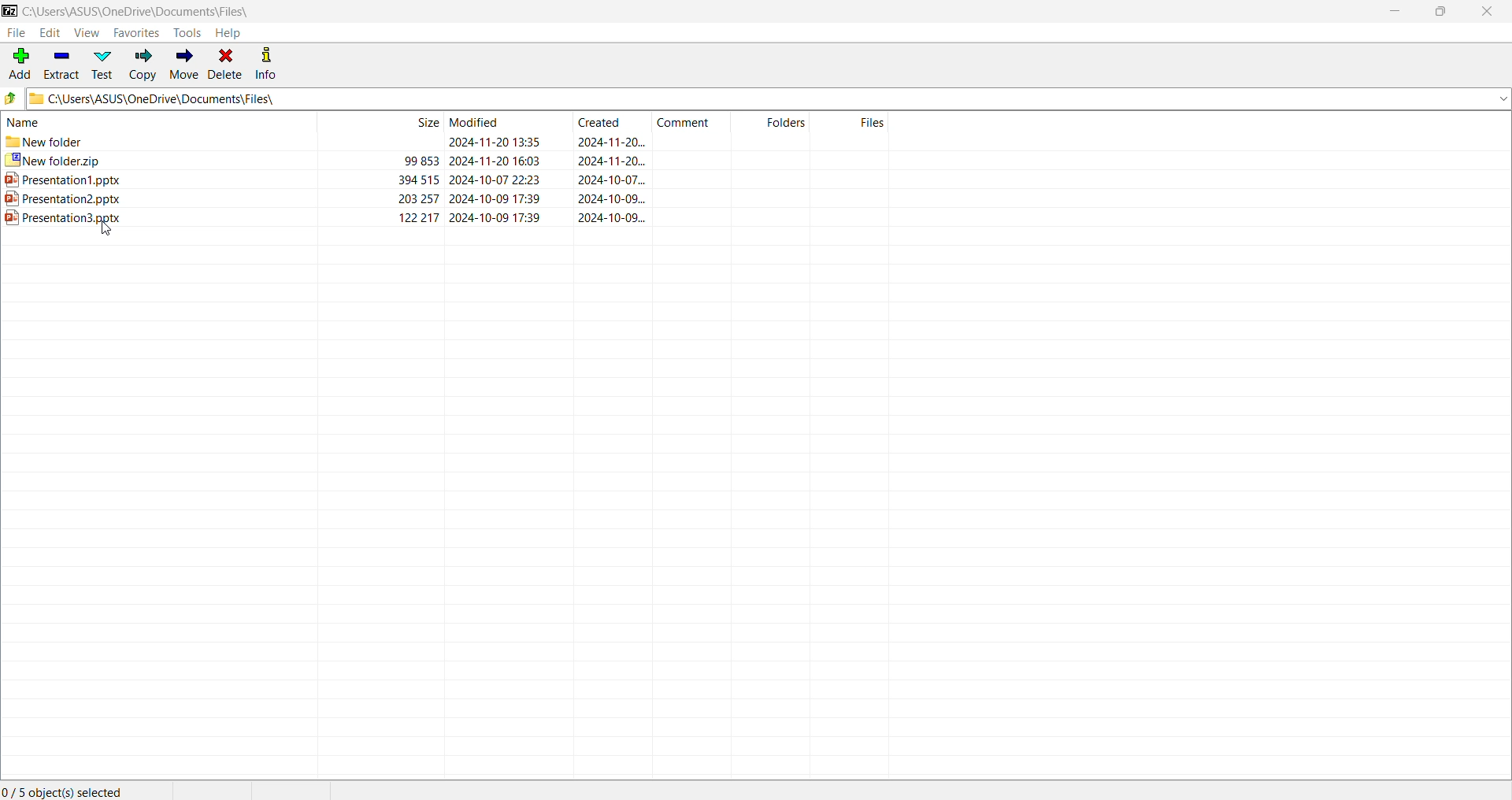 This screenshot has height=800, width=1512. What do you see at coordinates (18, 33) in the screenshot?
I see `File` at bounding box center [18, 33].